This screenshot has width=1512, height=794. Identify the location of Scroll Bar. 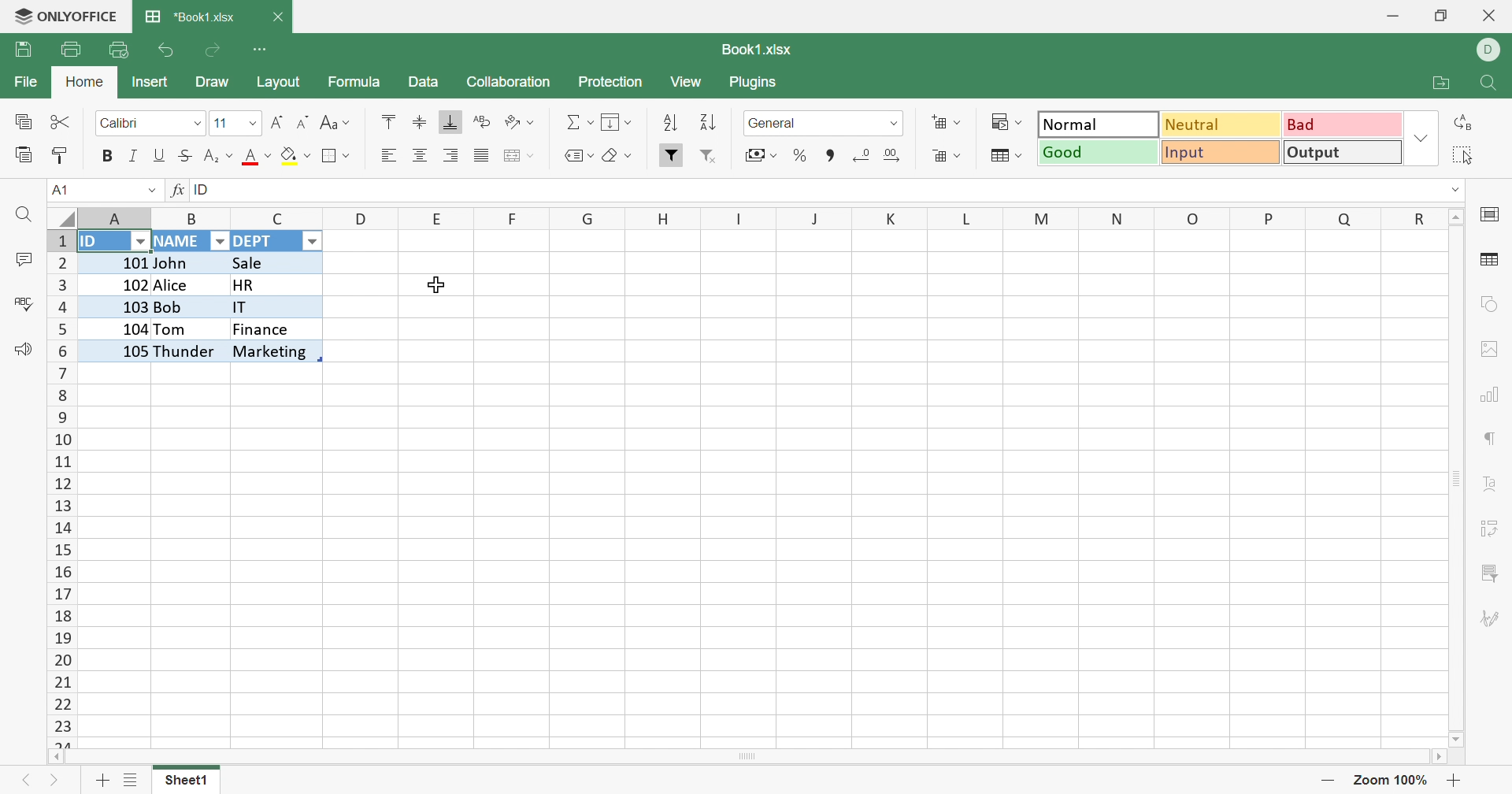
(1456, 477).